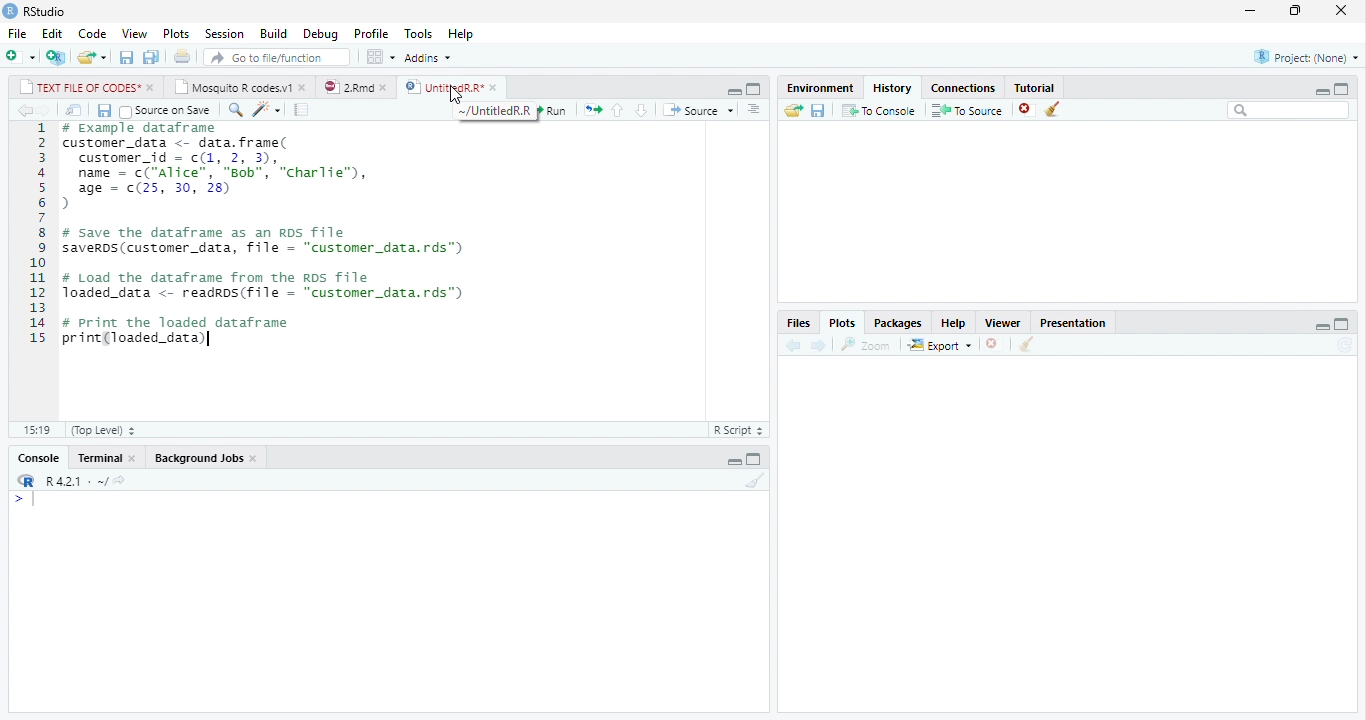 The height and width of the screenshot is (720, 1366). What do you see at coordinates (266, 286) in the screenshot?
I see `# Load the dataframe from the RDs file
loaded_data <- readros(file = "customer_data.rds")` at bounding box center [266, 286].